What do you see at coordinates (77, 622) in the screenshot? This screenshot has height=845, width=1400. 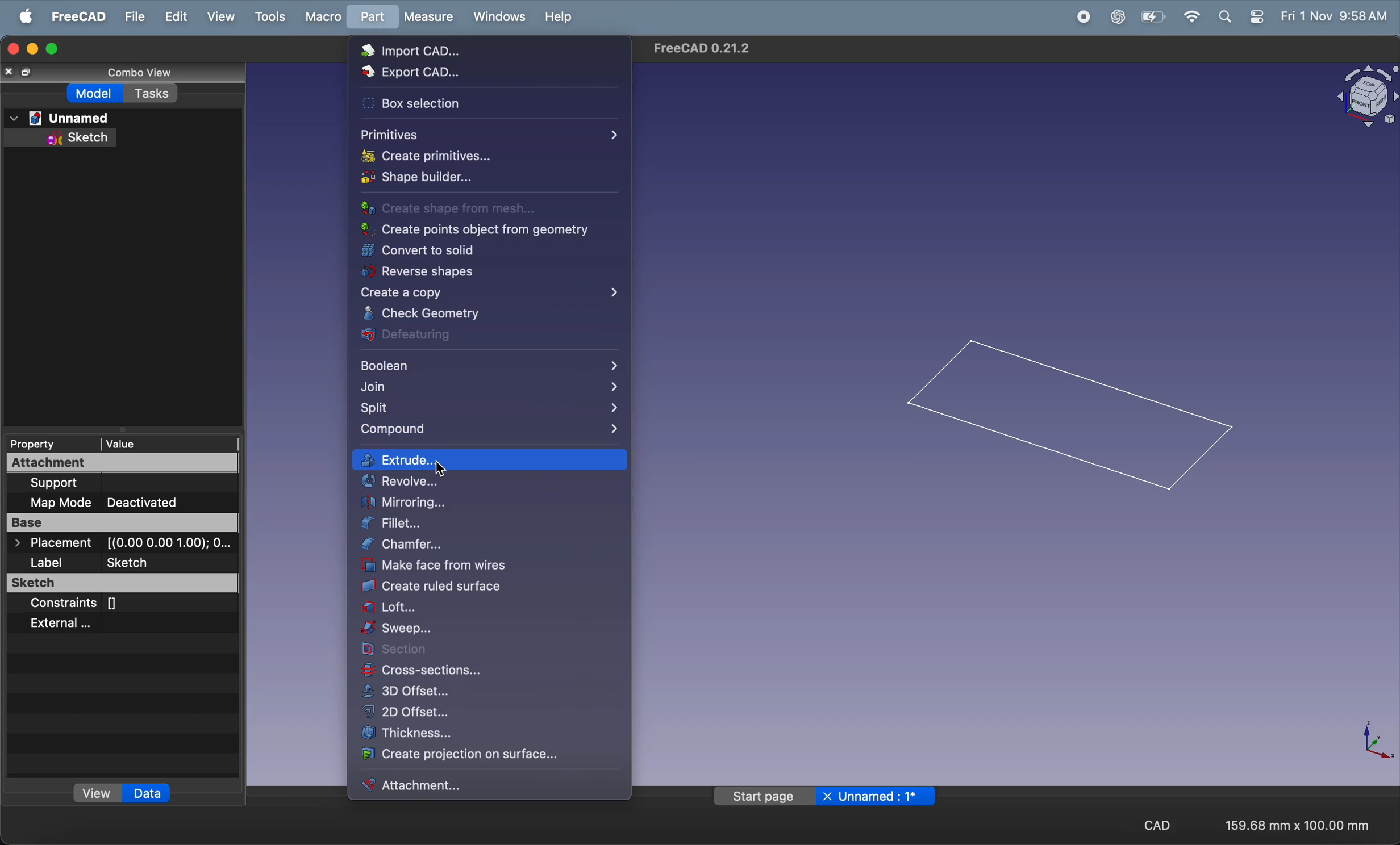 I see `external` at bounding box center [77, 622].